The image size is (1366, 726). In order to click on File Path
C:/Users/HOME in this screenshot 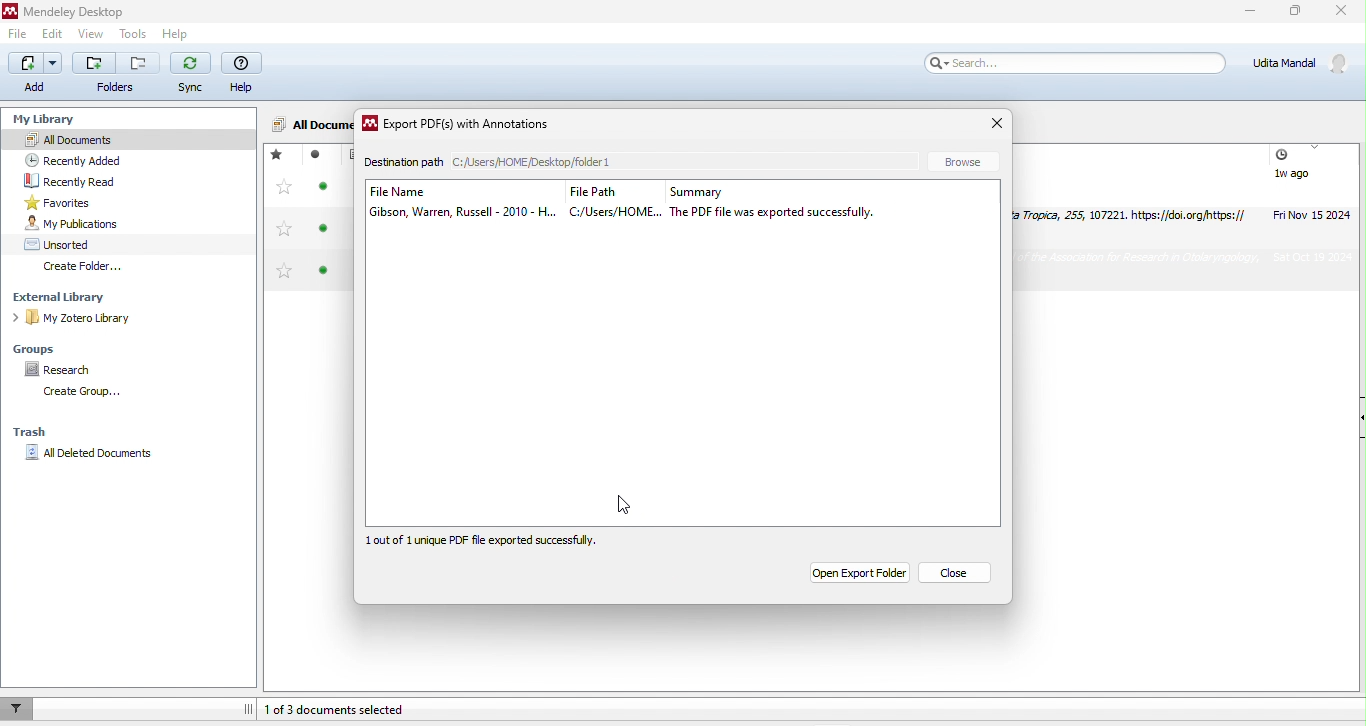, I will do `click(606, 202)`.